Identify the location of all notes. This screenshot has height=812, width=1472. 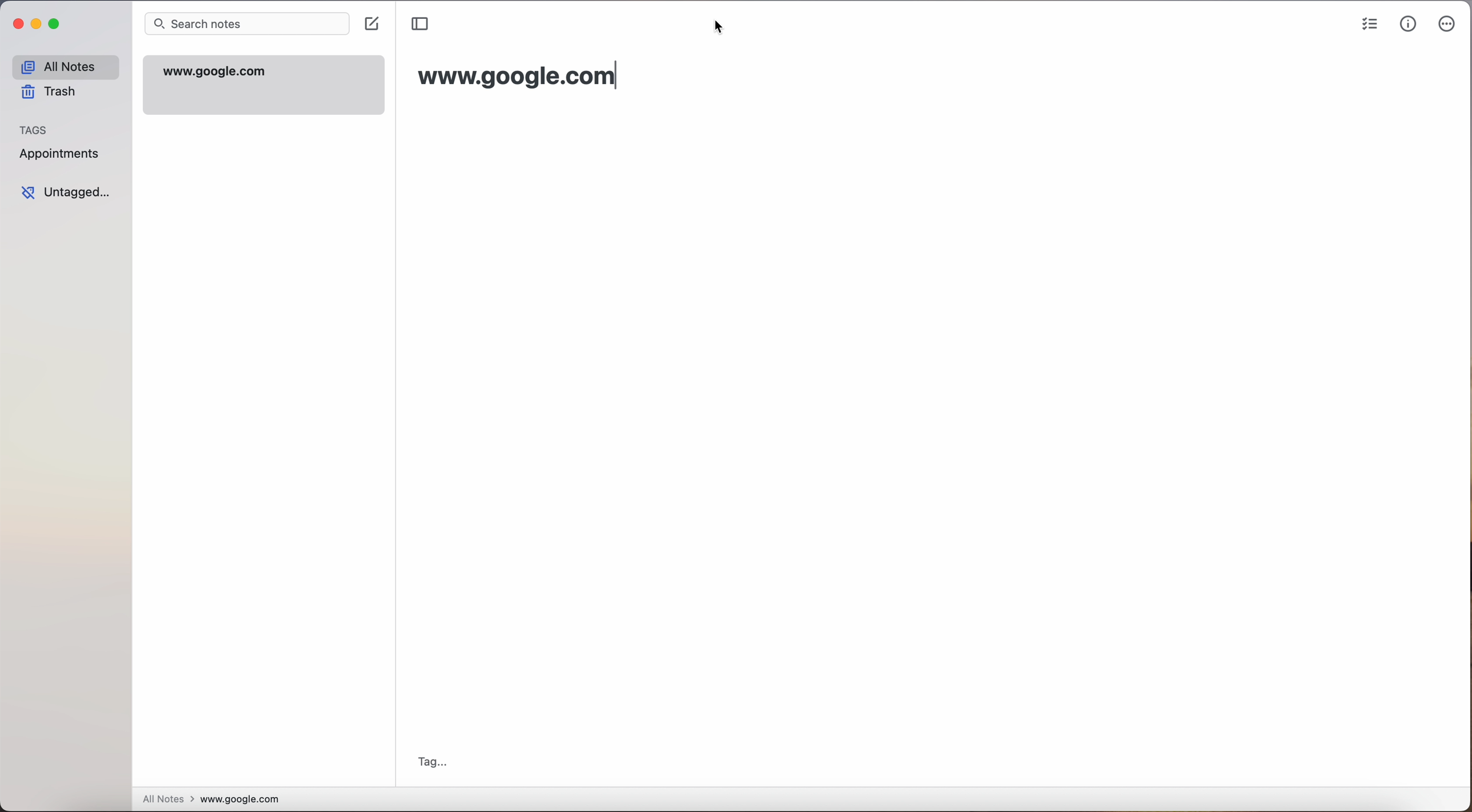
(67, 66).